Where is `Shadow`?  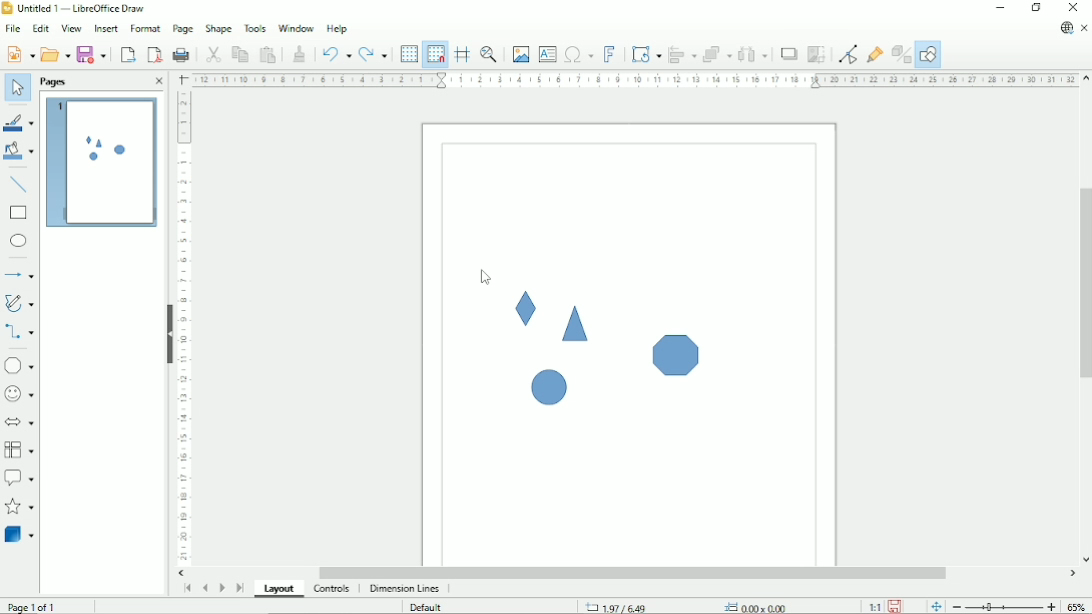 Shadow is located at coordinates (786, 53).